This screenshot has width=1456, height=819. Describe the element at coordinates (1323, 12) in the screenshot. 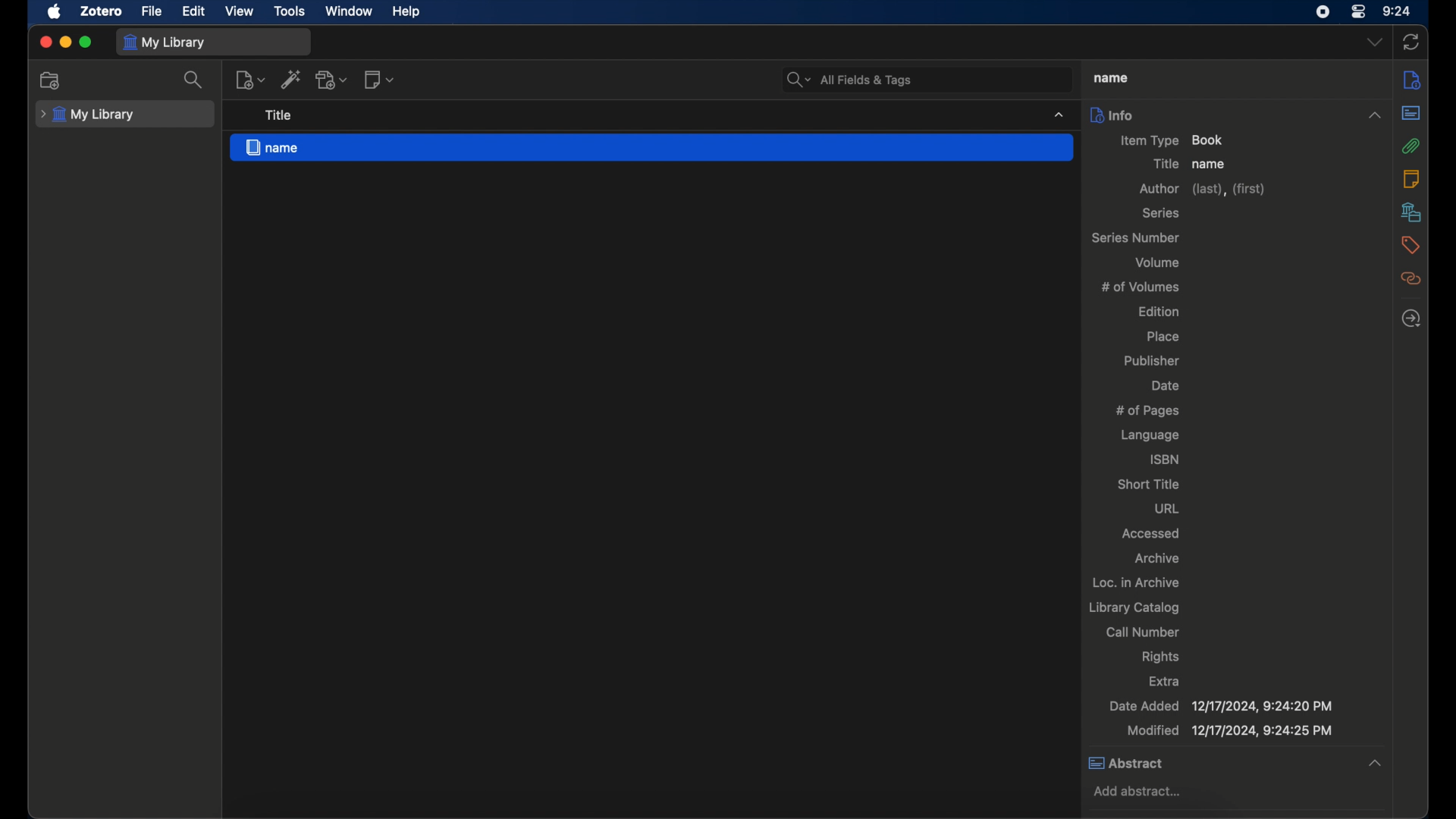

I see `screen recorder` at that location.